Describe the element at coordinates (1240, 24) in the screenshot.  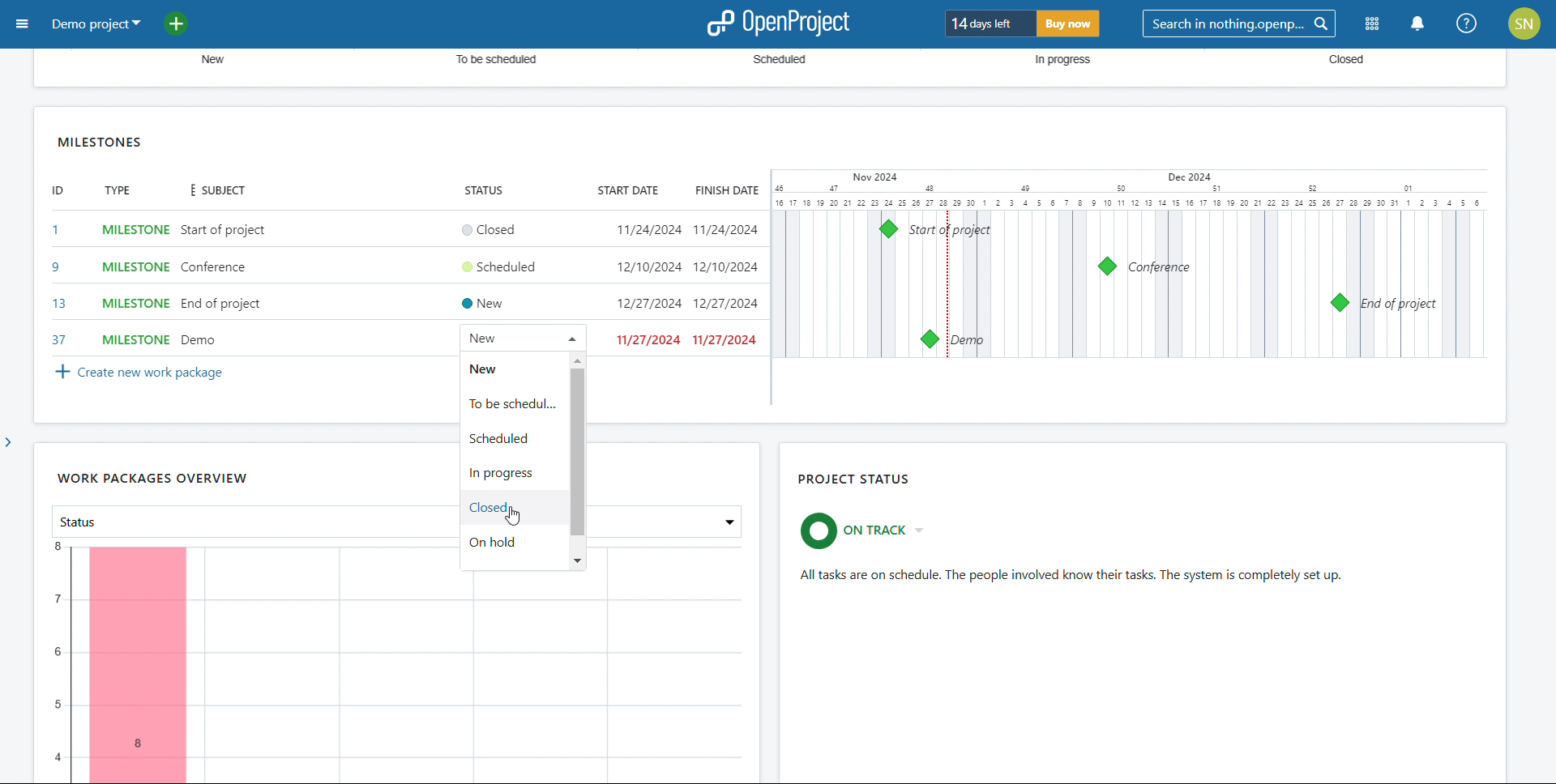
I see `search` at that location.